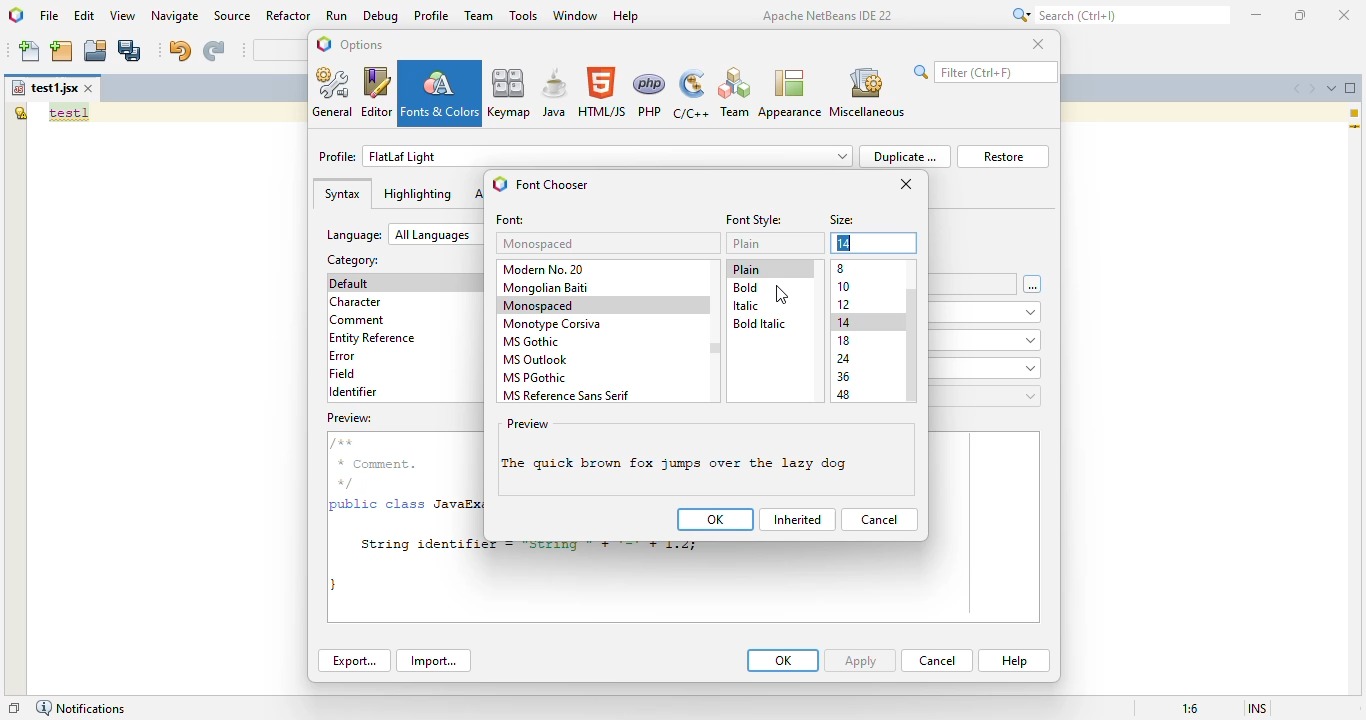  I want to click on edit, so click(85, 15).